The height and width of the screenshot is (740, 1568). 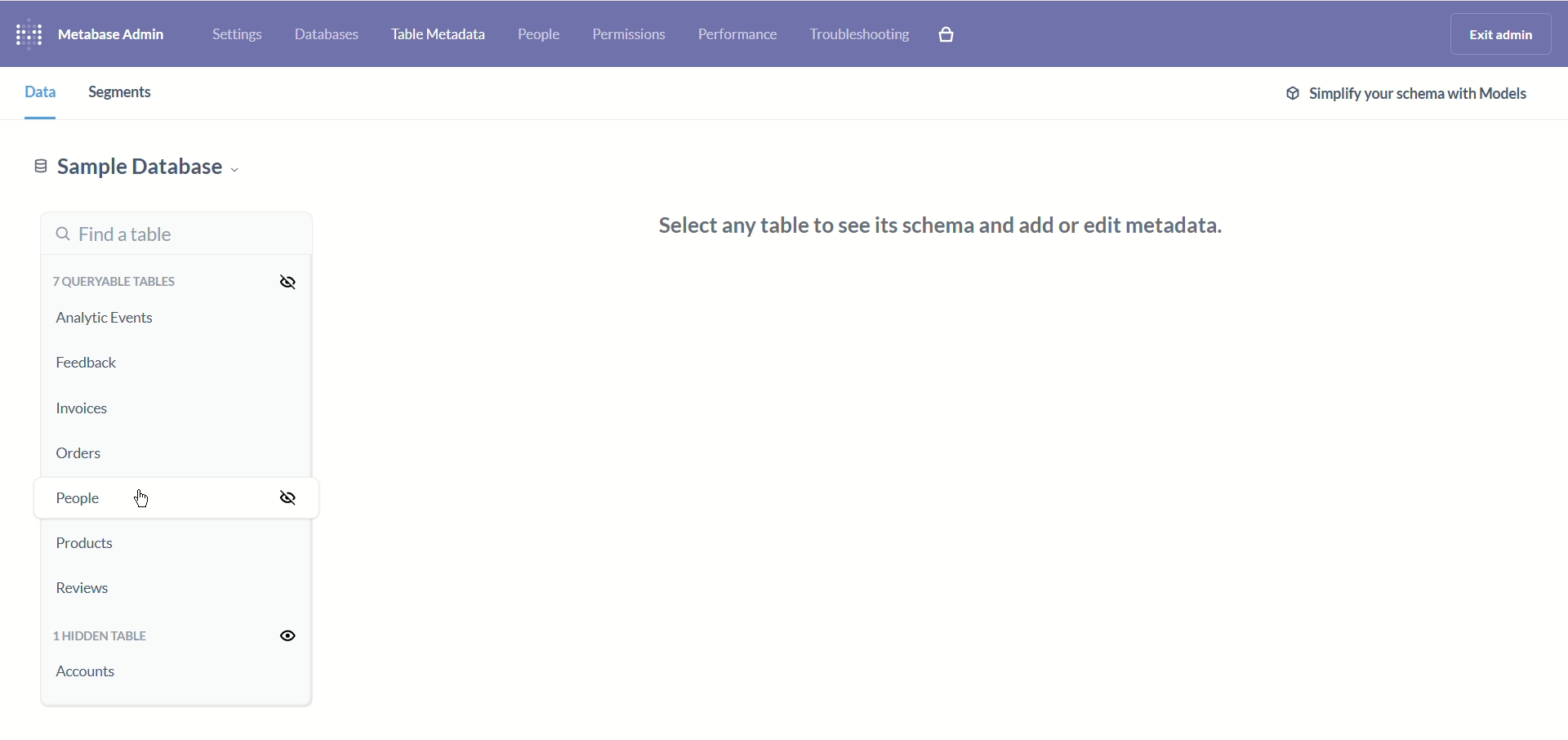 I want to click on Sample database, so click(x=136, y=166).